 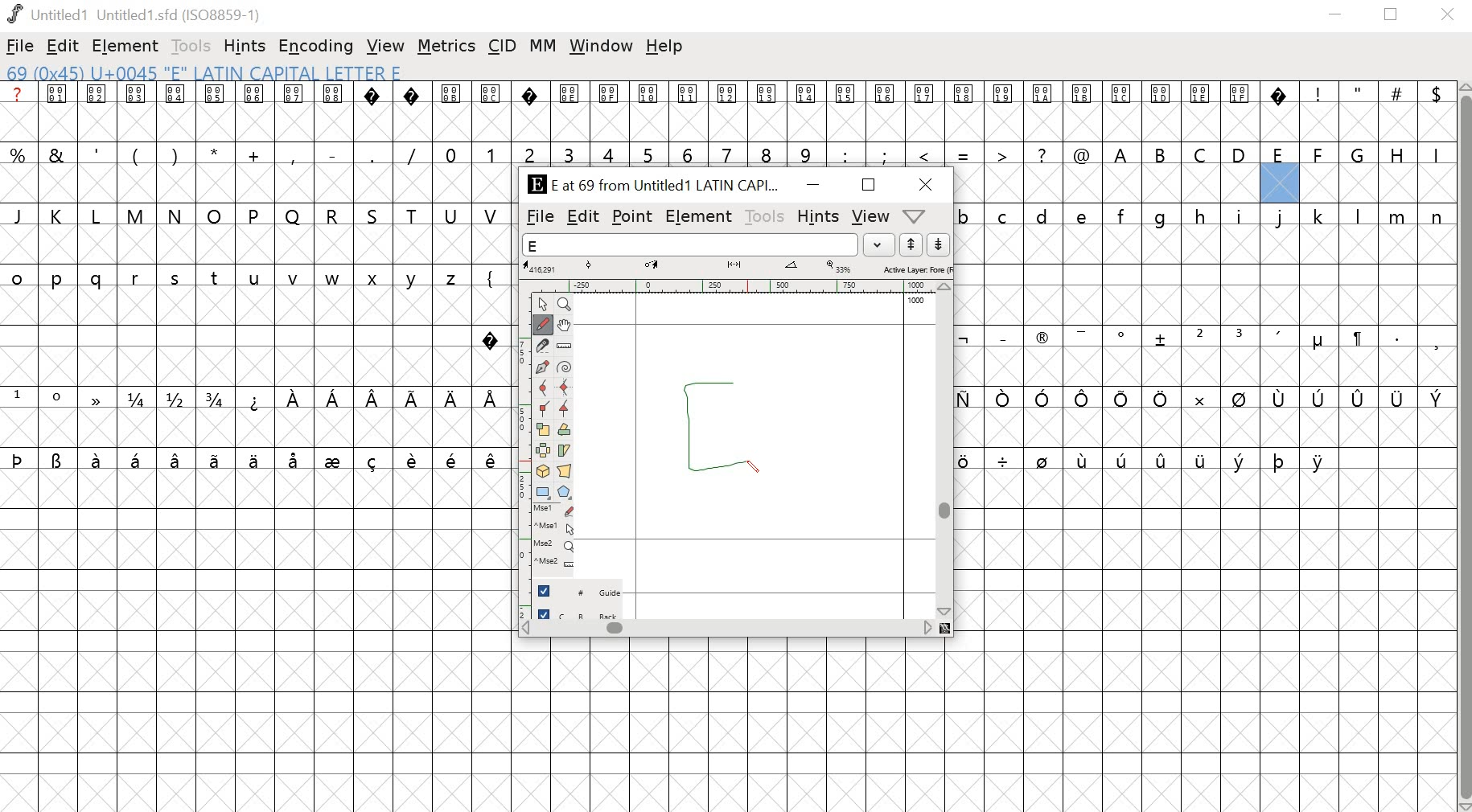 What do you see at coordinates (254, 429) in the screenshot?
I see `empty cells` at bounding box center [254, 429].